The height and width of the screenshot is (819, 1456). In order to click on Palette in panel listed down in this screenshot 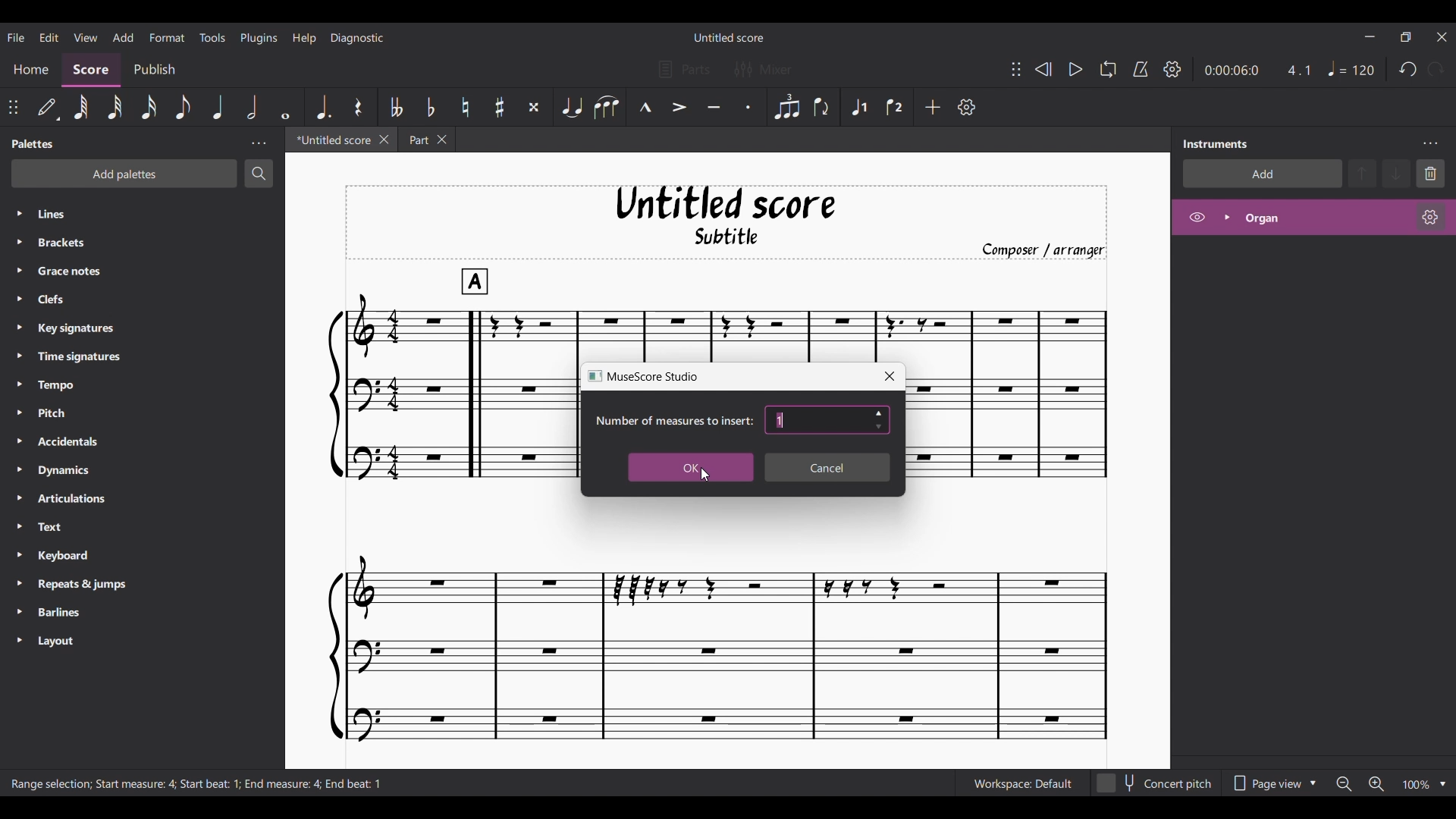, I will do `click(157, 429)`.